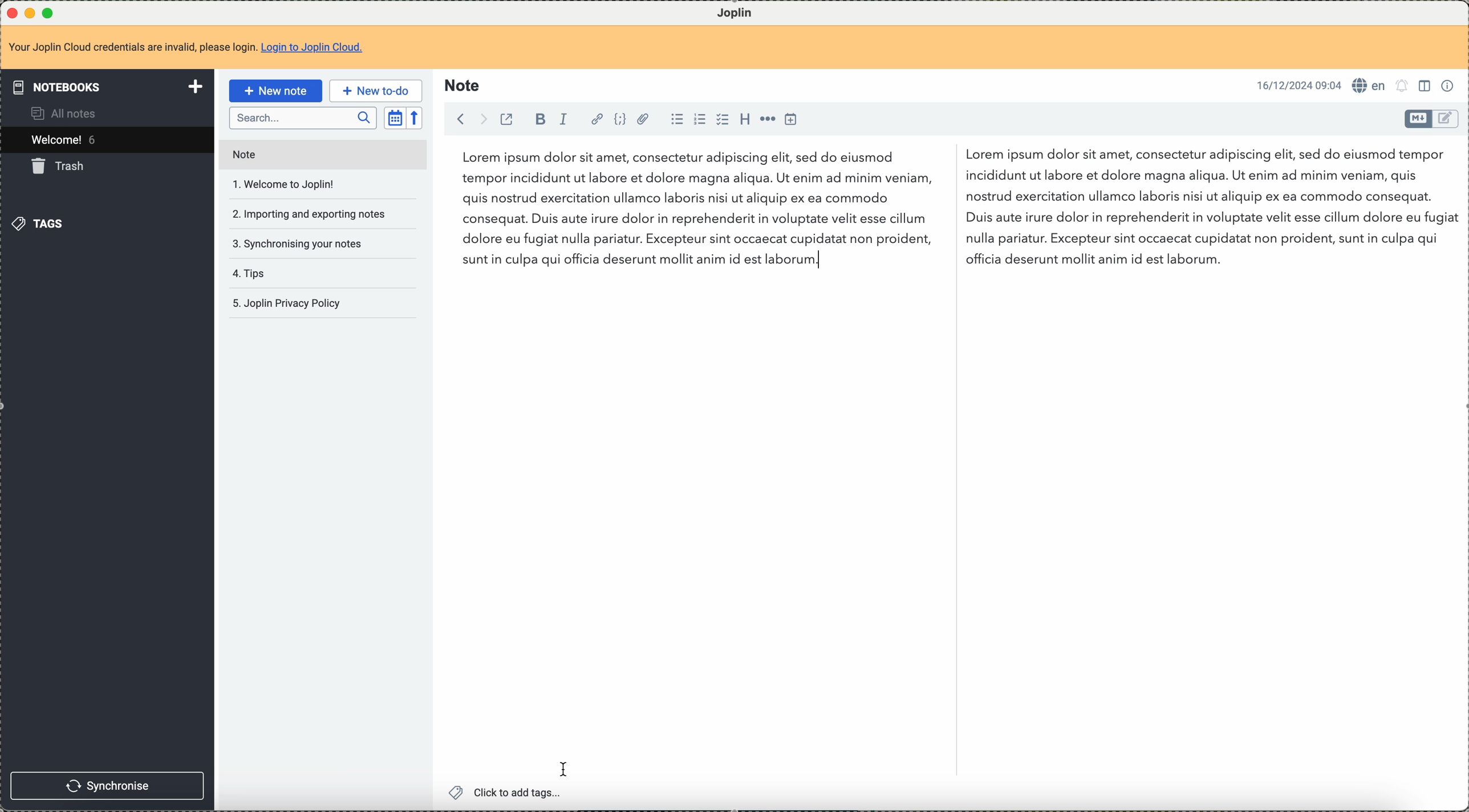 Image resolution: width=1469 pixels, height=812 pixels. What do you see at coordinates (255, 275) in the screenshot?
I see `tips` at bounding box center [255, 275].